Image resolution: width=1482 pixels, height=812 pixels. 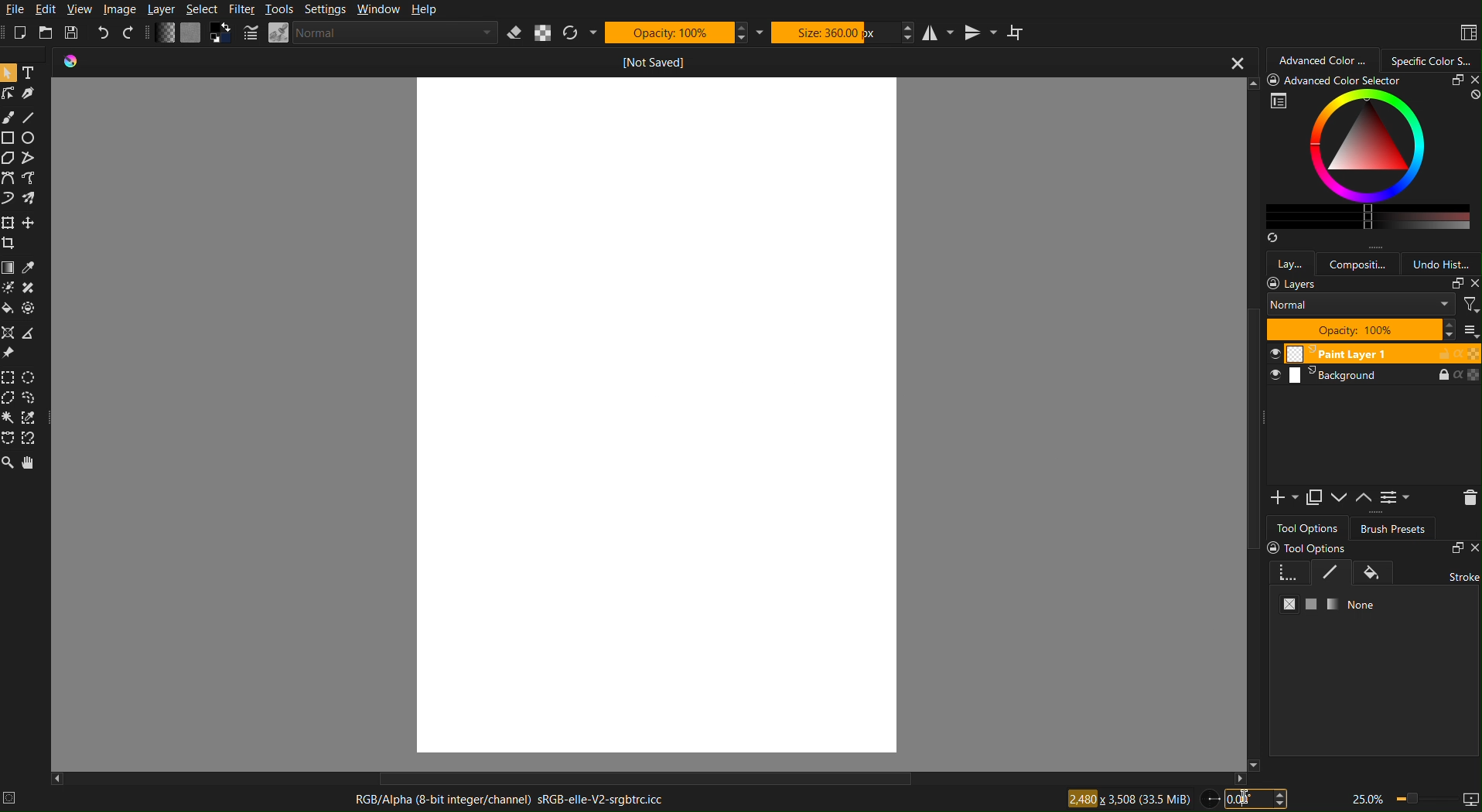 I want to click on Select, so click(x=202, y=9).